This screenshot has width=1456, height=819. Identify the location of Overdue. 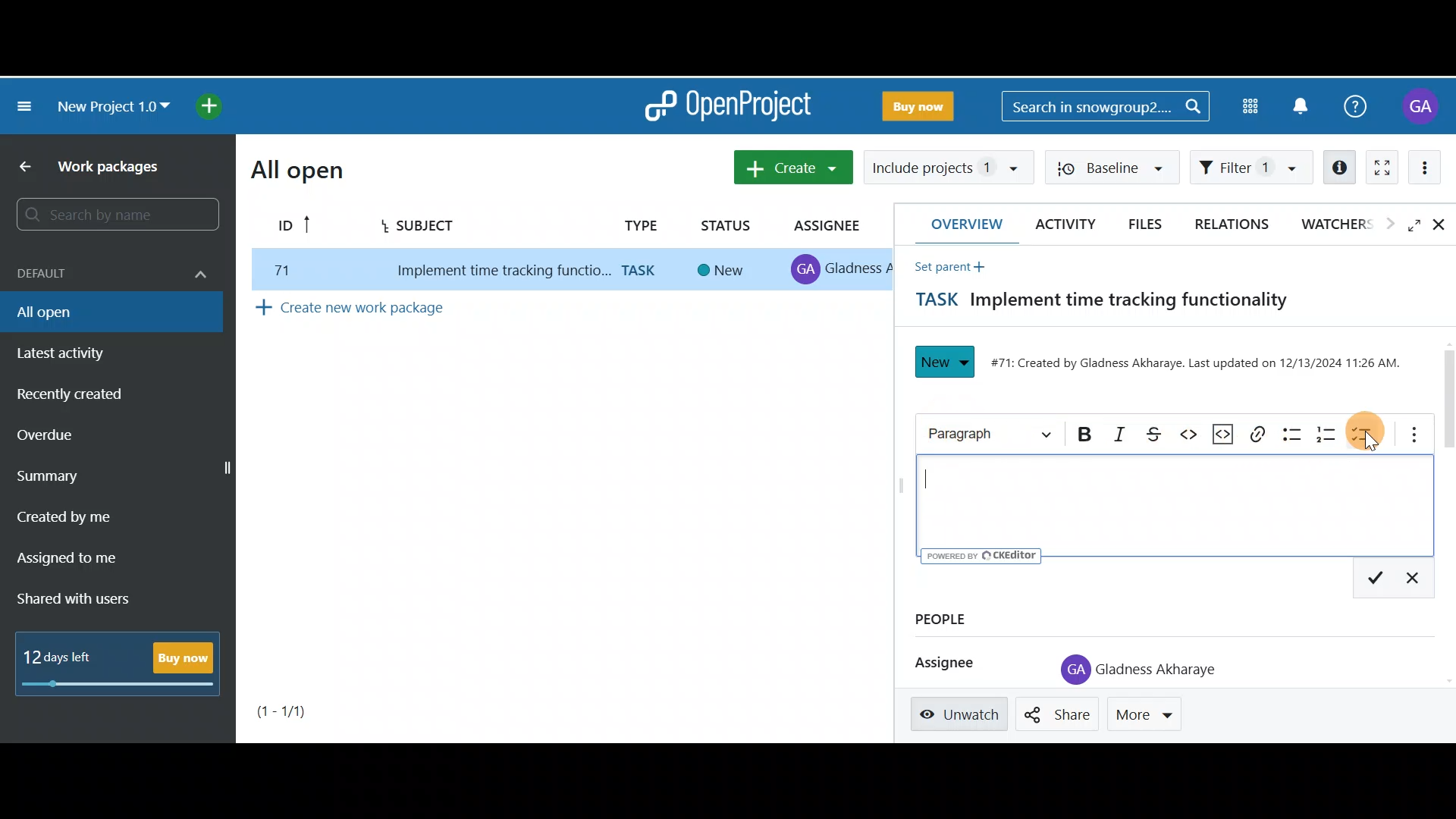
(64, 434).